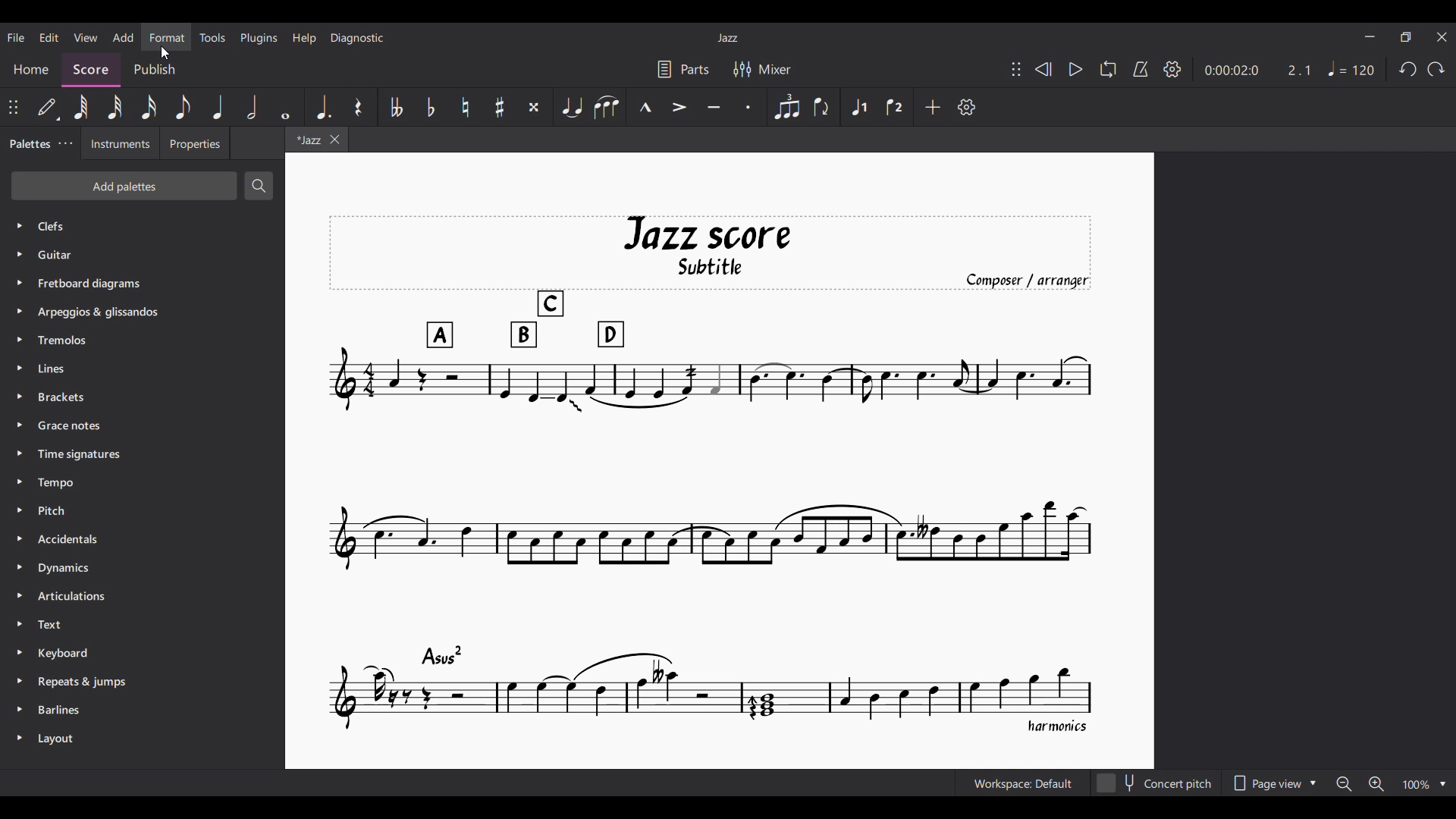 This screenshot has width=1456, height=819. I want to click on 64th note, so click(81, 106).